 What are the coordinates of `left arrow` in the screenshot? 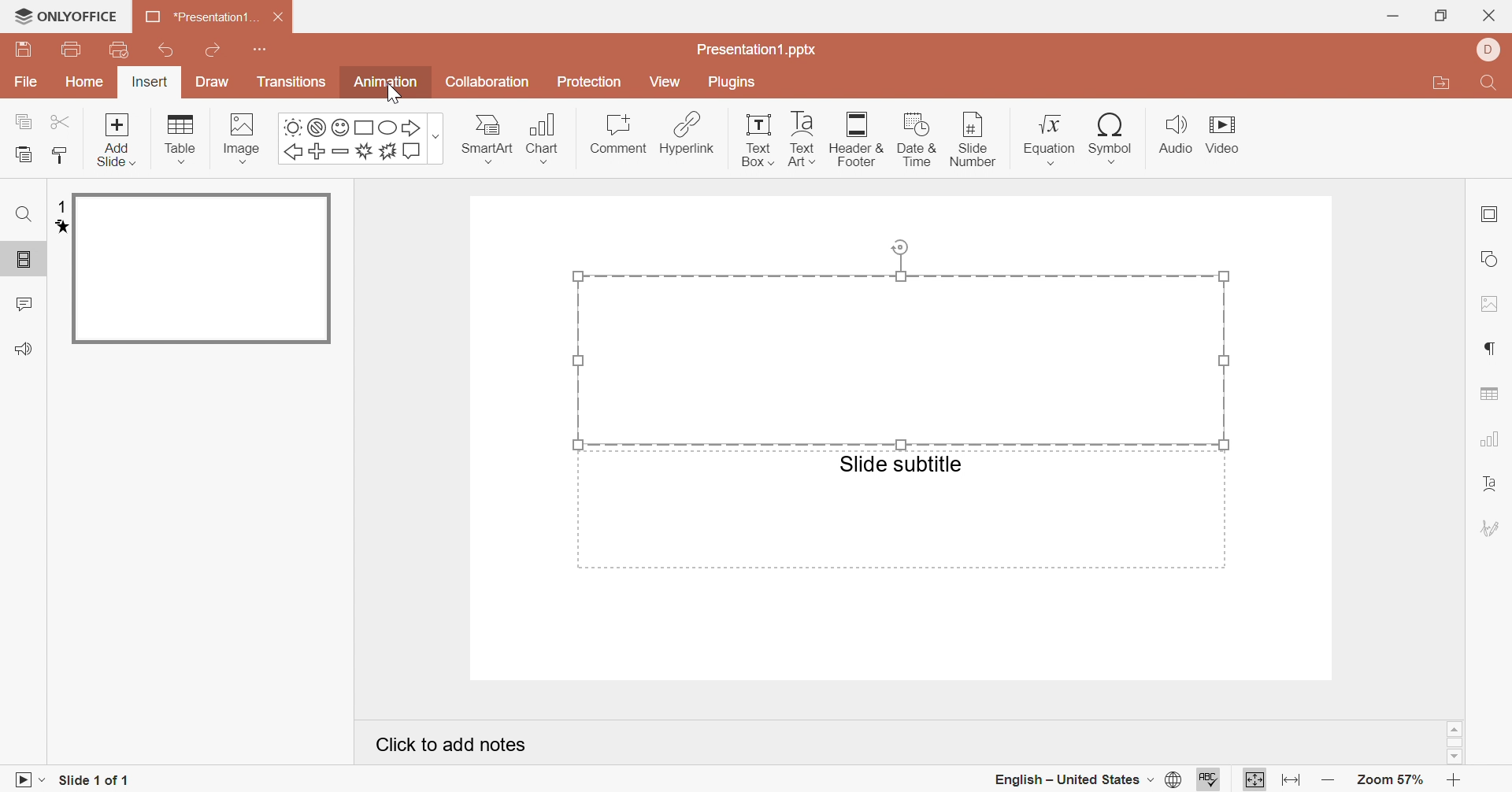 It's located at (291, 154).